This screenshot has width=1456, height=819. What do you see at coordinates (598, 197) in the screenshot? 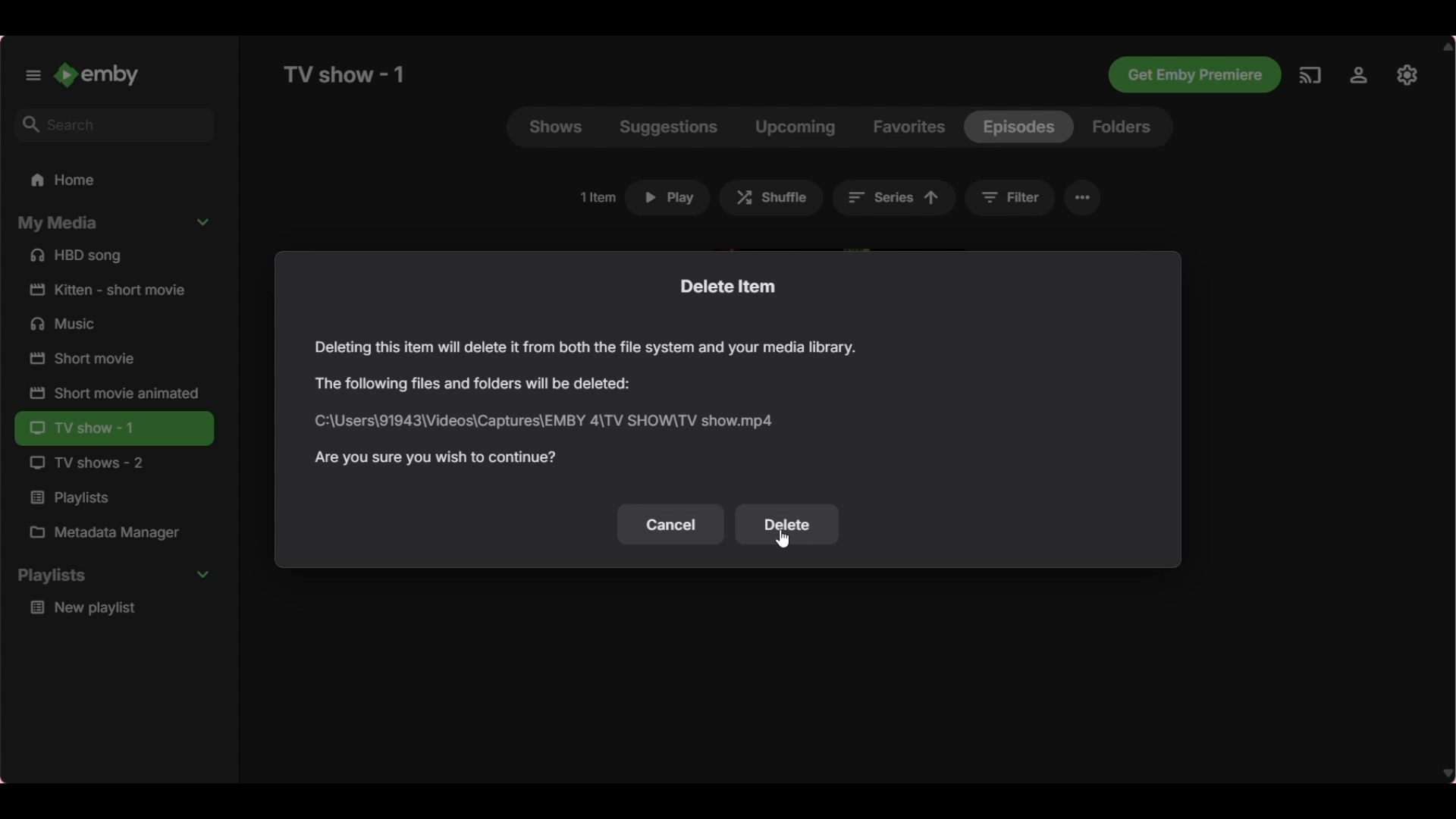
I see `Total number of items in current selection` at bounding box center [598, 197].